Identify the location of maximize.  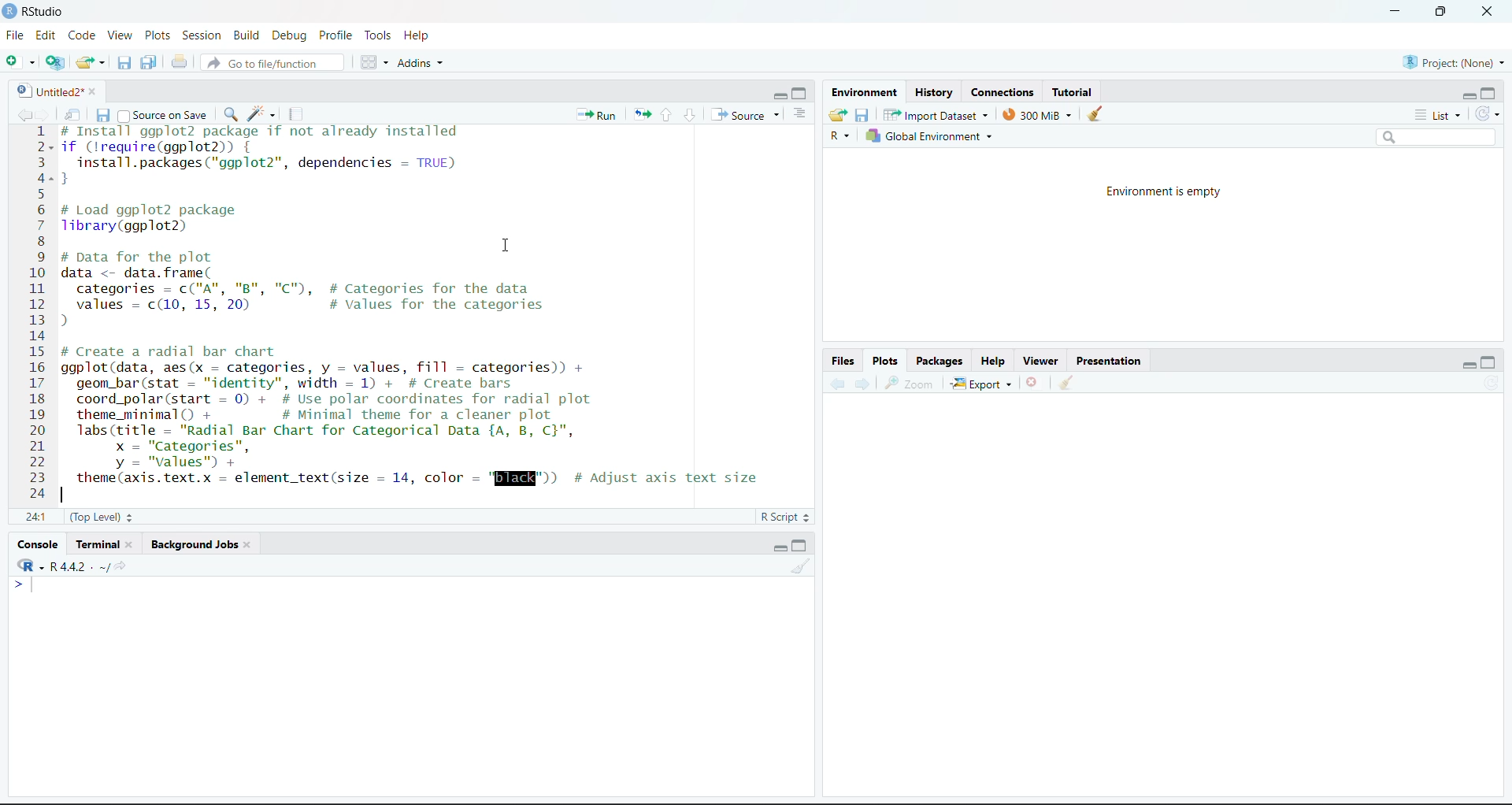
(1436, 10).